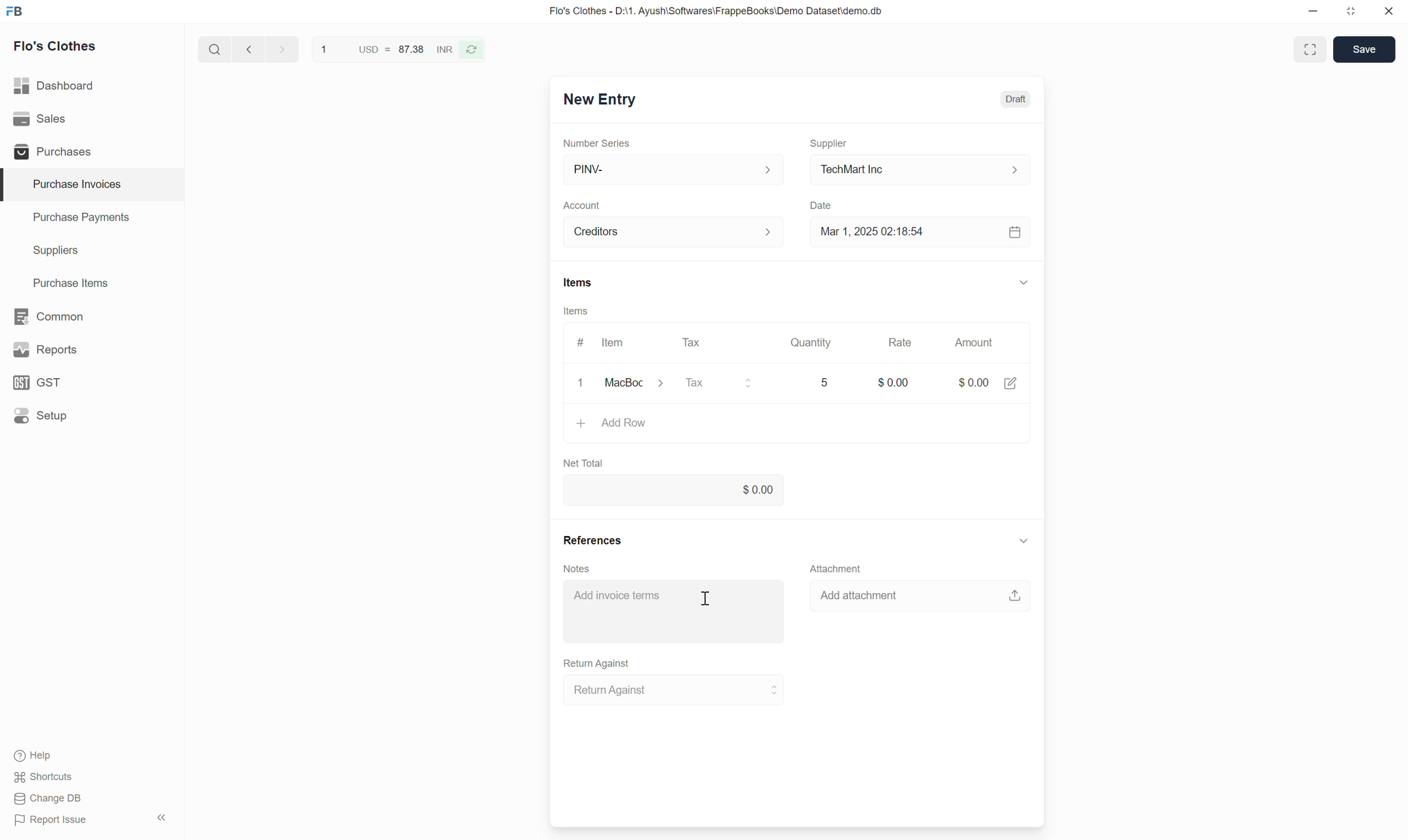 This screenshot has height=840, width=1408. Describe the element at coordinates (640, 383) in the screenshot. I see `MacBook` at that location.